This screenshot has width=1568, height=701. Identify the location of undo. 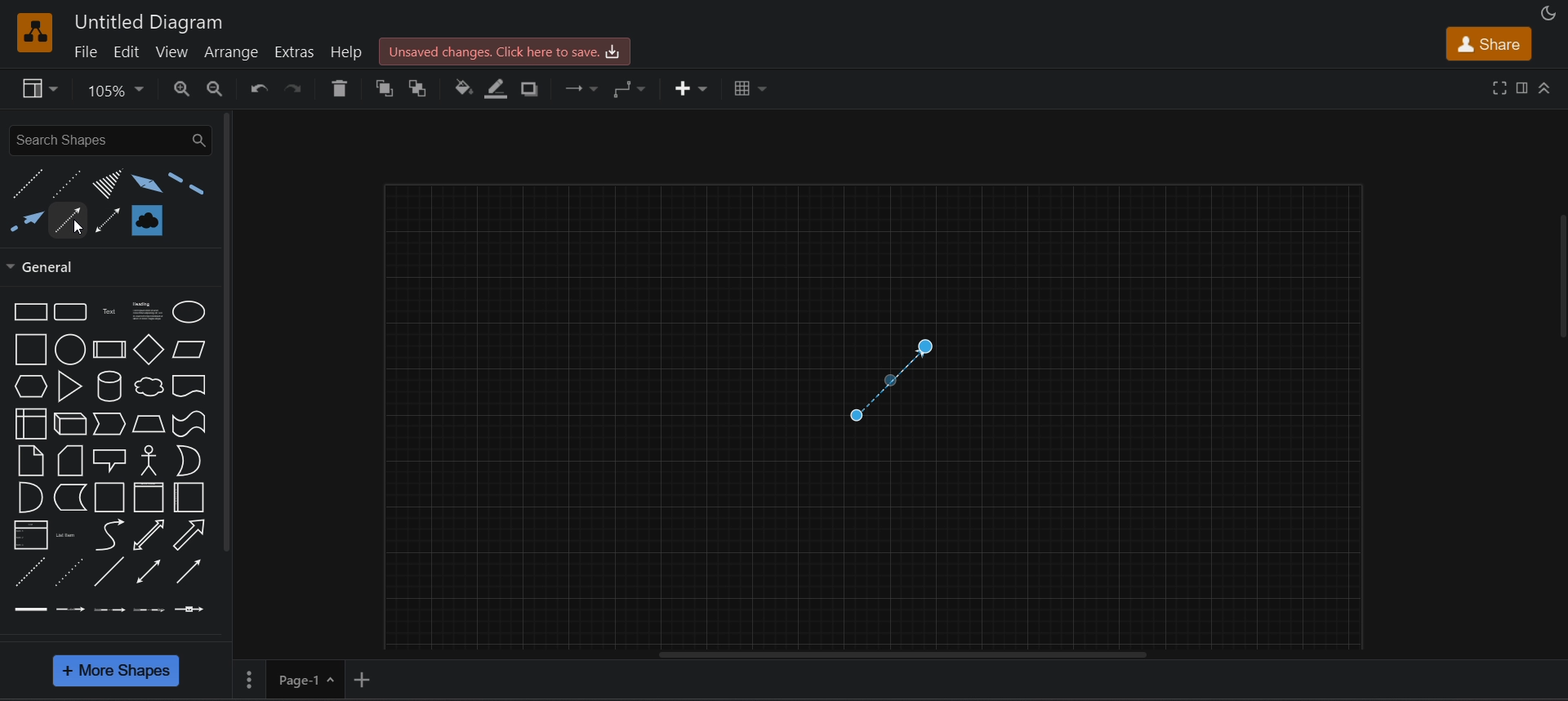
(258, 90).